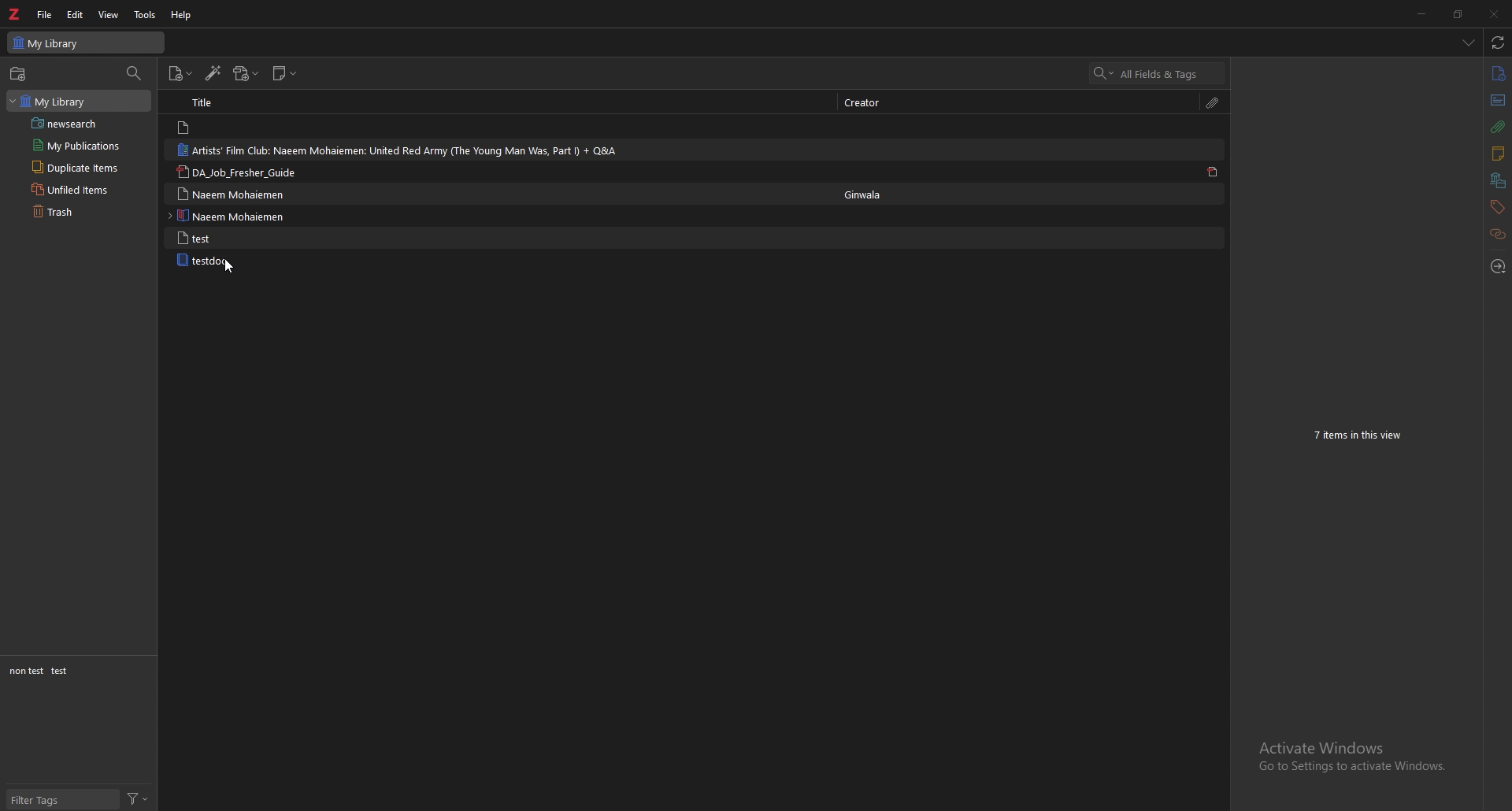 The image size is (1512, 811). I want to click on title, so click(213, 103).